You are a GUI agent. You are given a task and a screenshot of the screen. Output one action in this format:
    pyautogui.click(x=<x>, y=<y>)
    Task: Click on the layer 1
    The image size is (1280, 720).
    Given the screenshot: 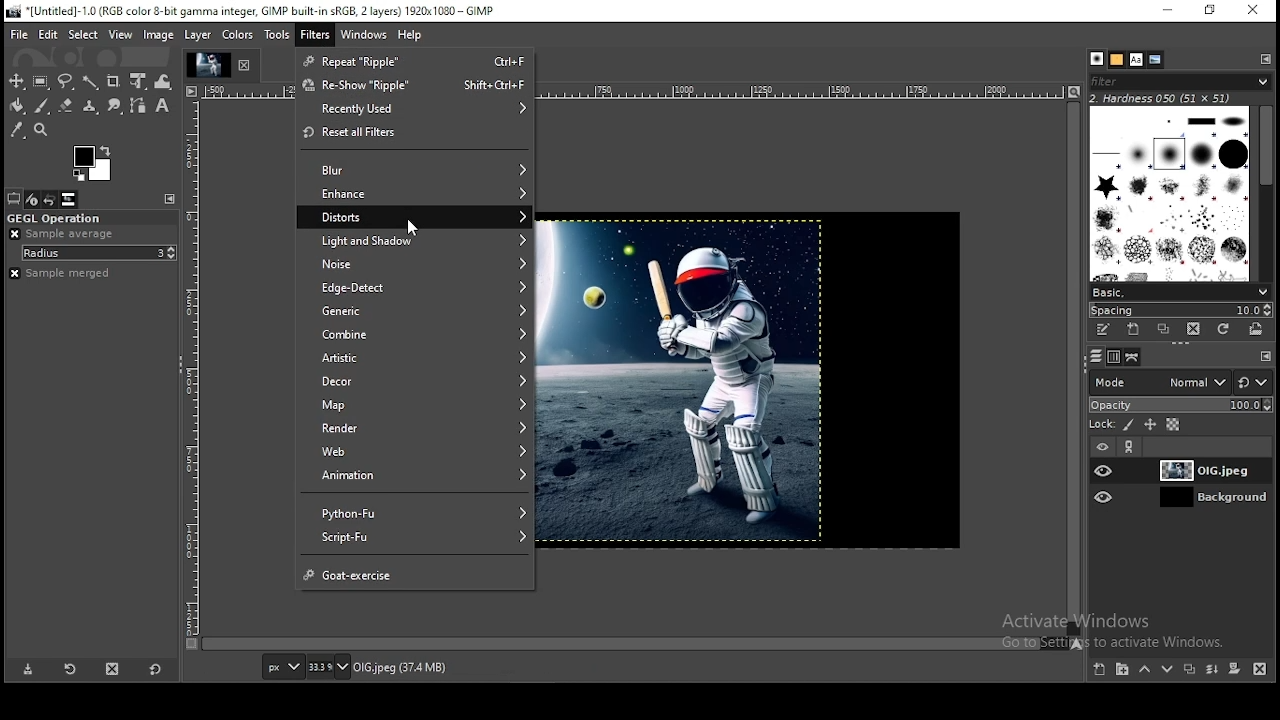 What is the action you would take?
    pyautogui.click(x=1196, y=471)
    